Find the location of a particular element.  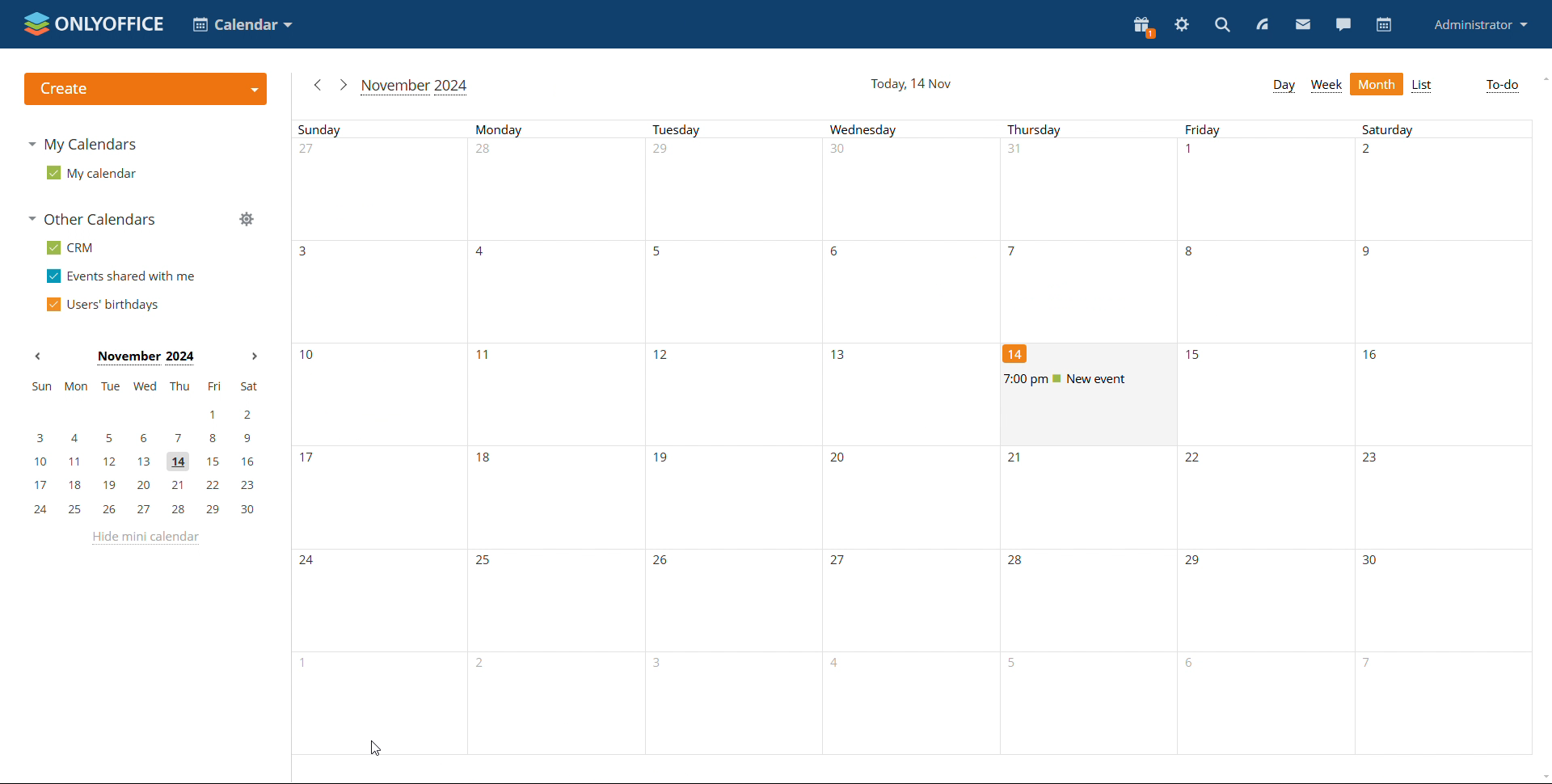

profile is located at coordinates (1478, 26).